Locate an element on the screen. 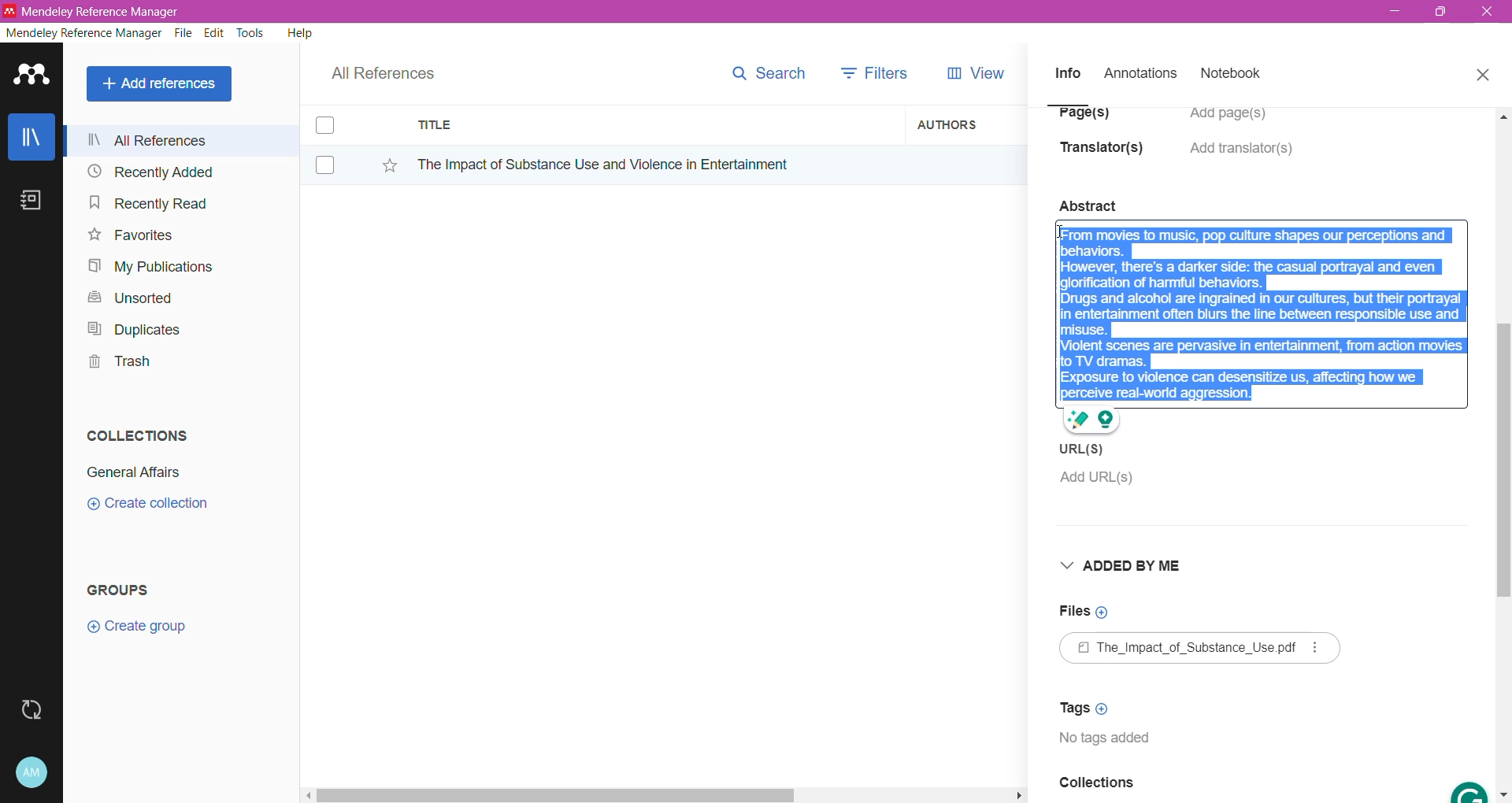 The width and height of the screenshot is (1512, 803). Mendeley Reference Manager is located at coordinates (84, 33).